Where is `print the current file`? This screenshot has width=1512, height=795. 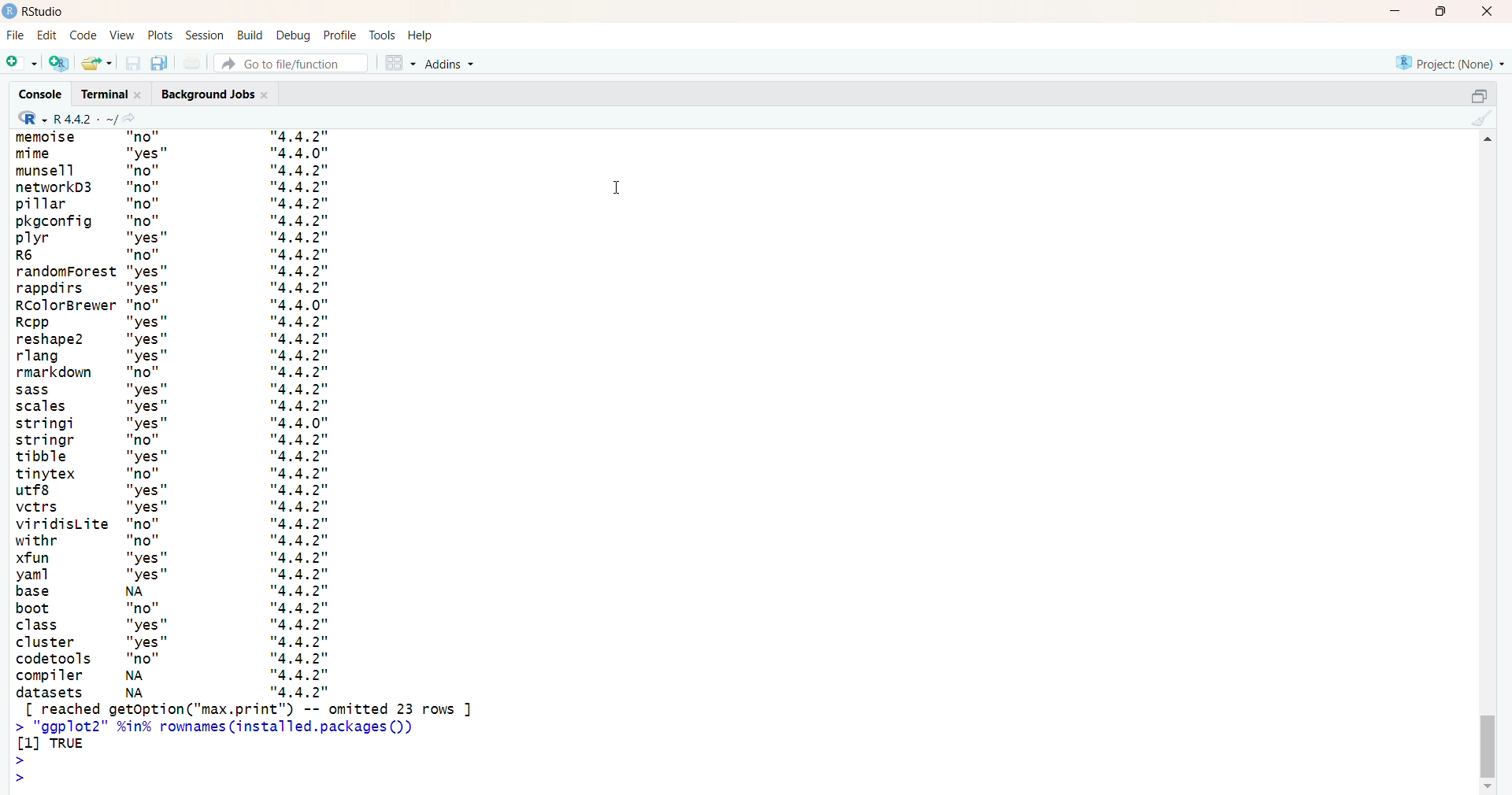 print the current file is located at coordinates (193, 64).